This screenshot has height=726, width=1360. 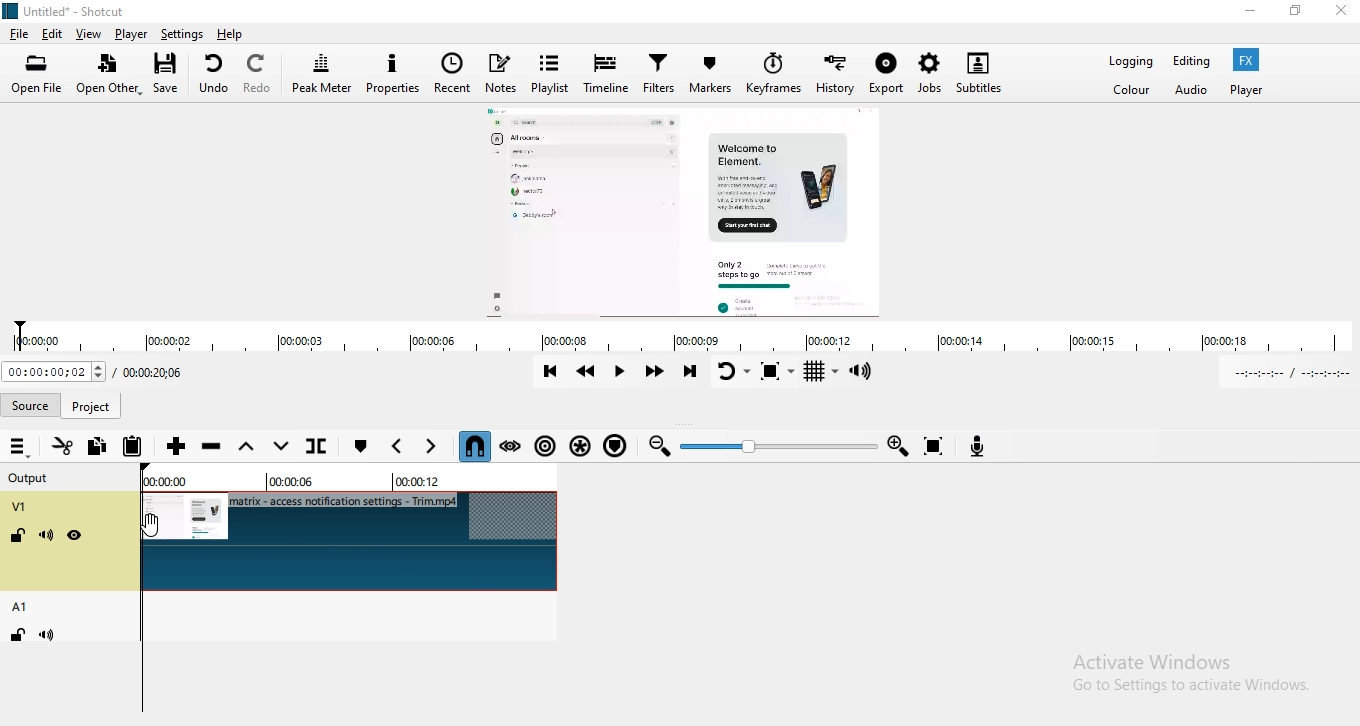 What do you see at coordinates (265, 76) in the screenshot?
I see `Redo` at bounding box center [265, 76].